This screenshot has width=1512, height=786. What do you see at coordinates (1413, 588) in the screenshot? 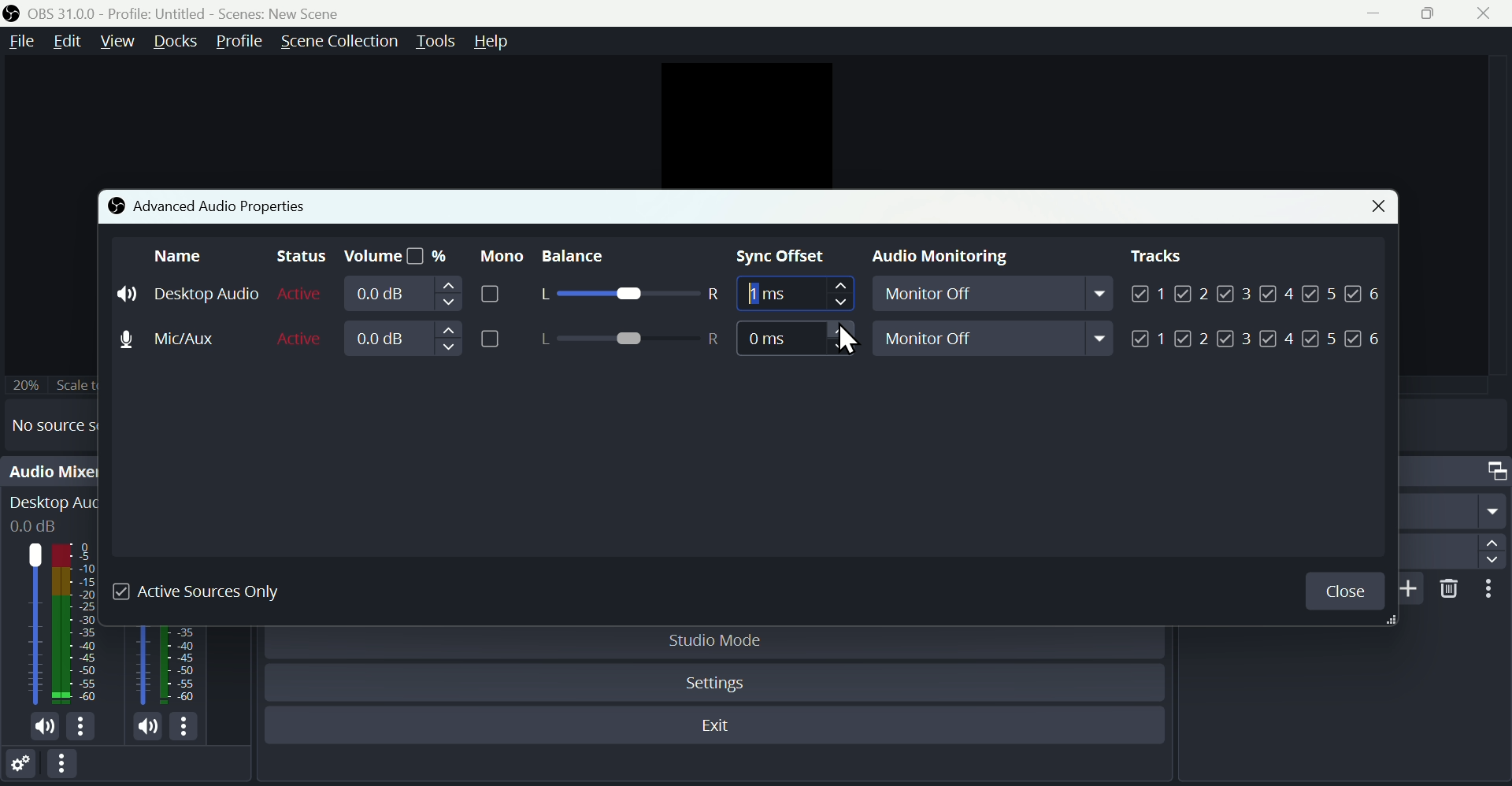
I see `Add` at bounding box center [1413, 588].